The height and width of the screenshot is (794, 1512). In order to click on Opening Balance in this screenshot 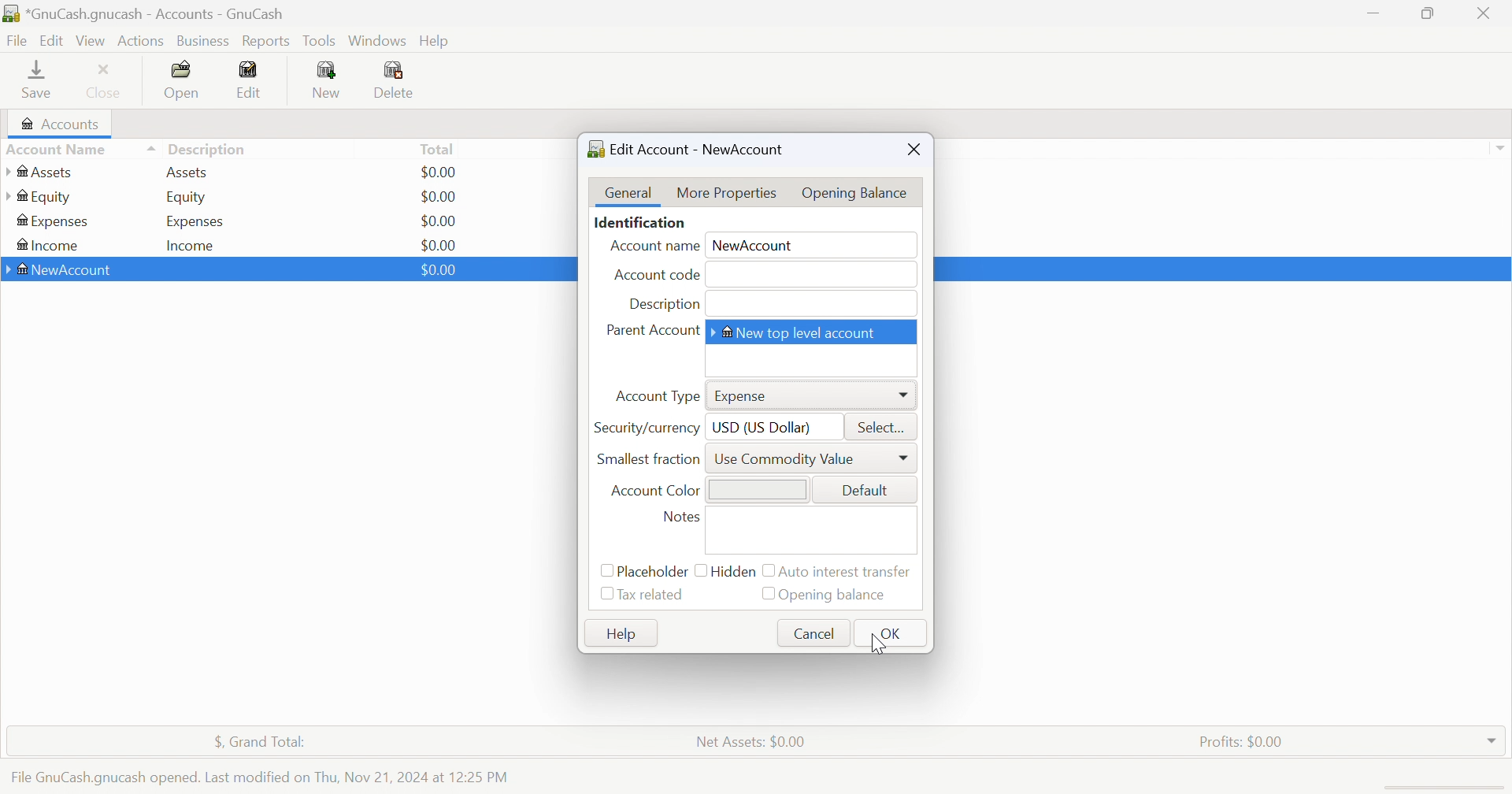, I will do `click(839, 595)`.